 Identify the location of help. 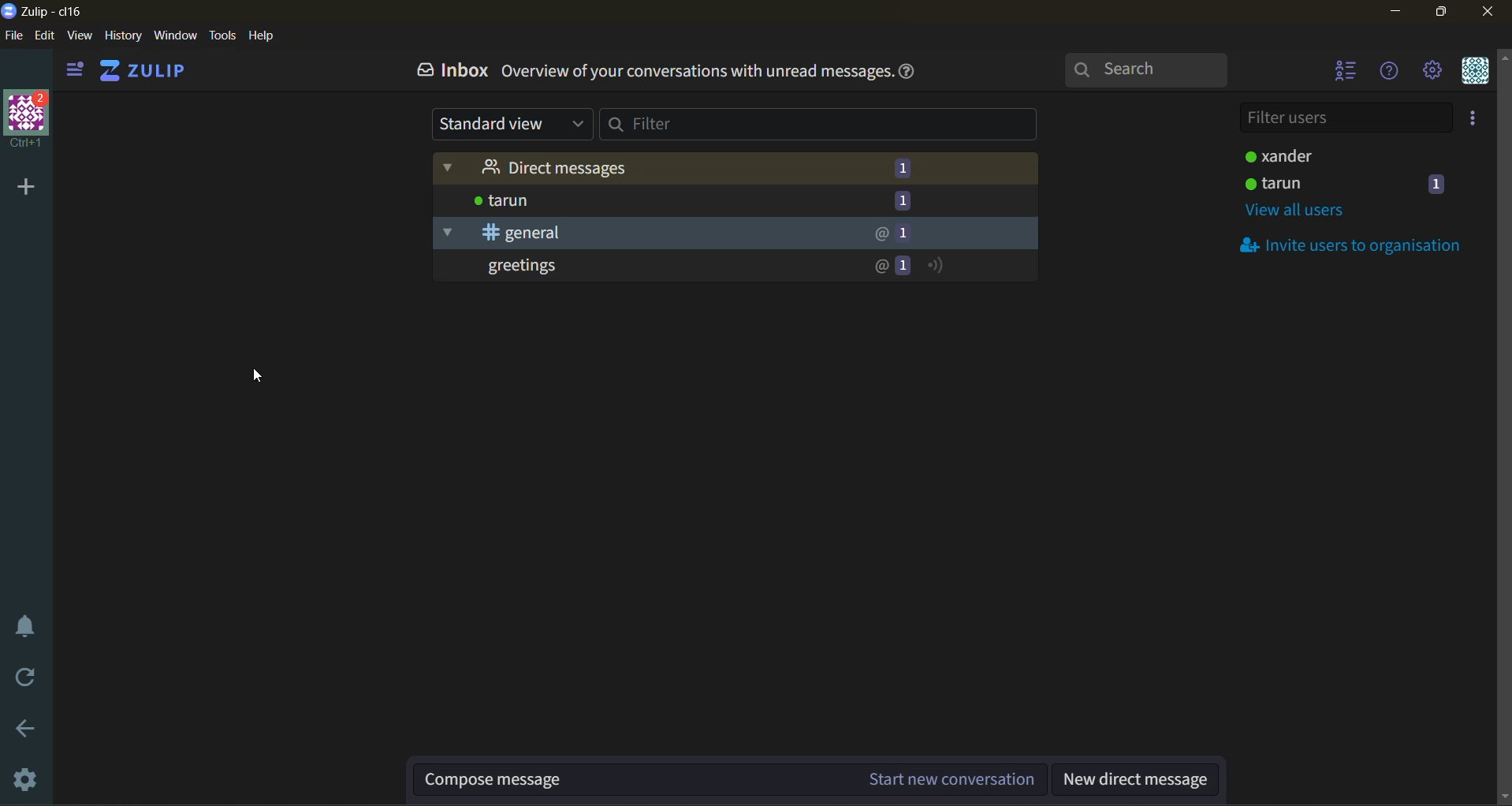
(258, 35).